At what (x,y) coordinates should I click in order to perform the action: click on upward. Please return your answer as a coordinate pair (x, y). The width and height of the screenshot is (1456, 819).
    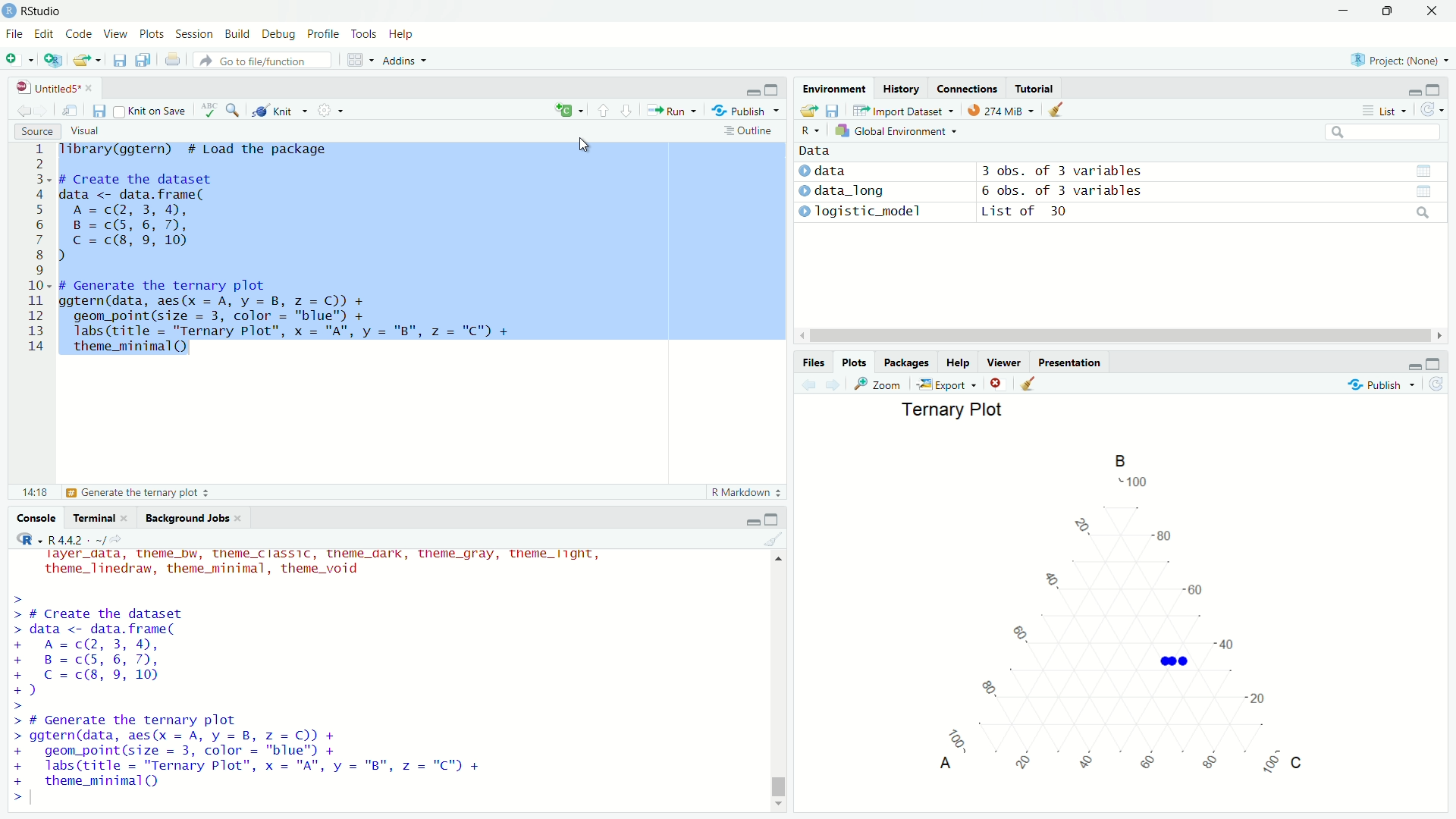
    Looking at the image, I should click on (604, 111).